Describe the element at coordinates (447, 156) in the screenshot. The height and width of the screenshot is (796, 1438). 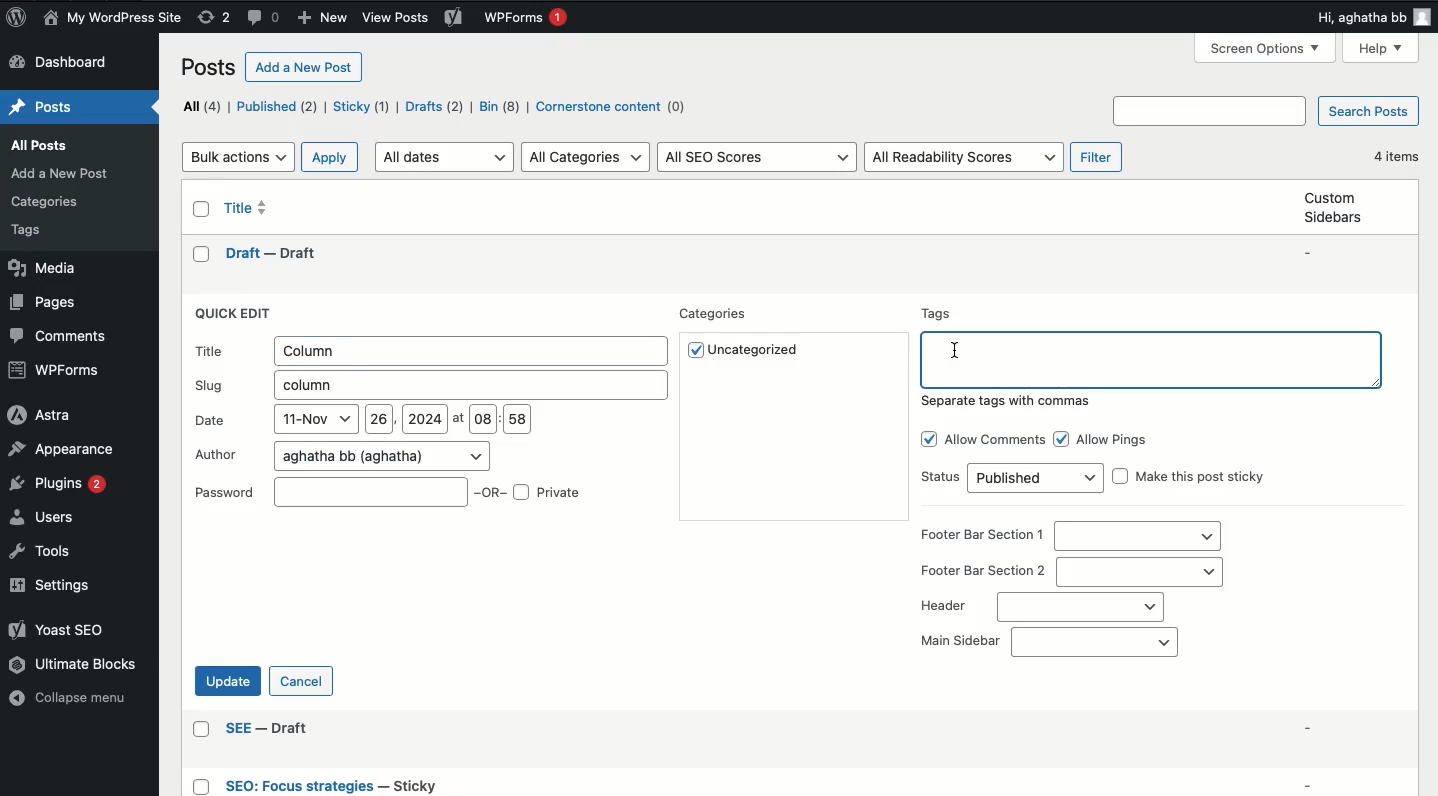
I see `All dates` at that location.